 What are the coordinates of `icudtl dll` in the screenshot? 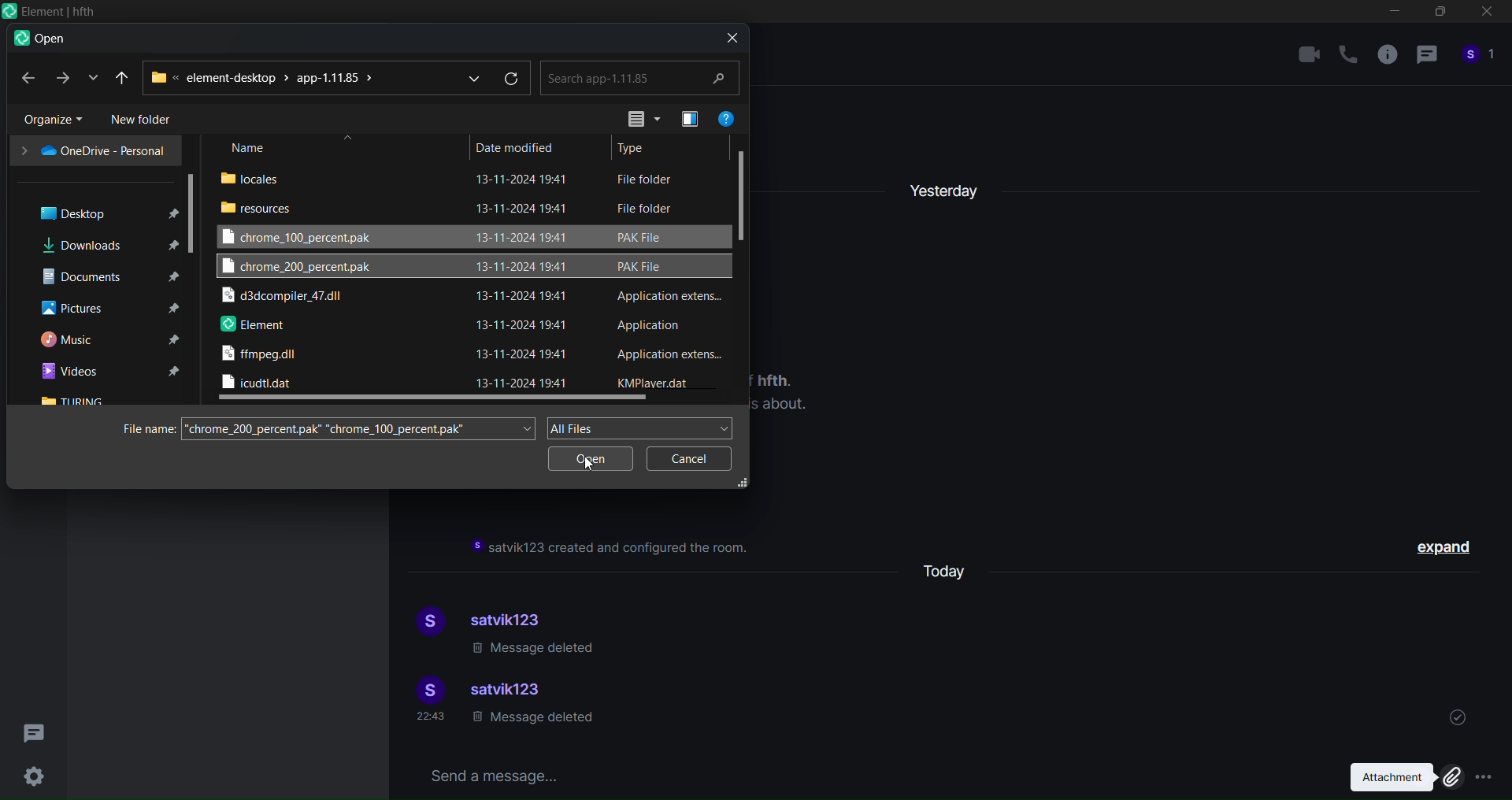 It's located at (258, 383).